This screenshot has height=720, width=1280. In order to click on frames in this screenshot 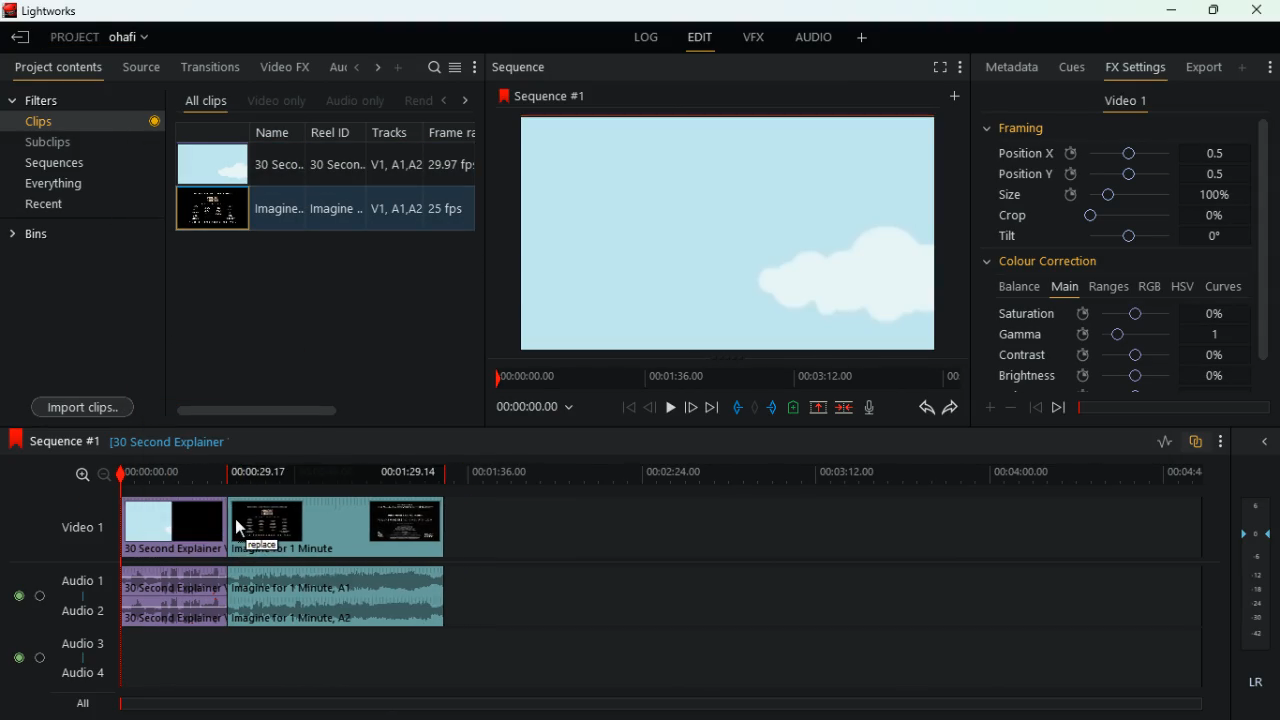, I will do `click(1253, 574)`.